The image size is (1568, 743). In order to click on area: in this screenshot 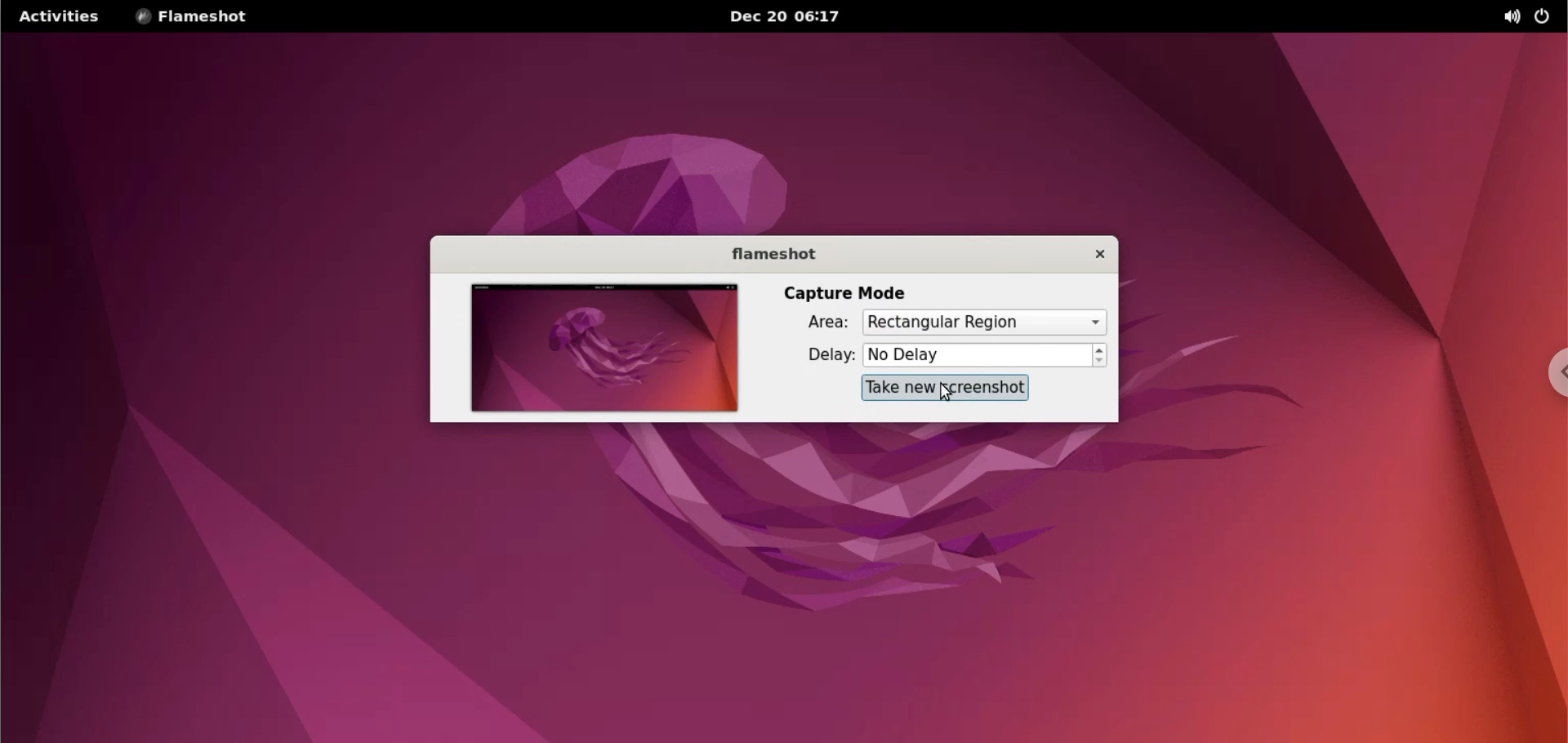, I will do `click(815, 321)`.